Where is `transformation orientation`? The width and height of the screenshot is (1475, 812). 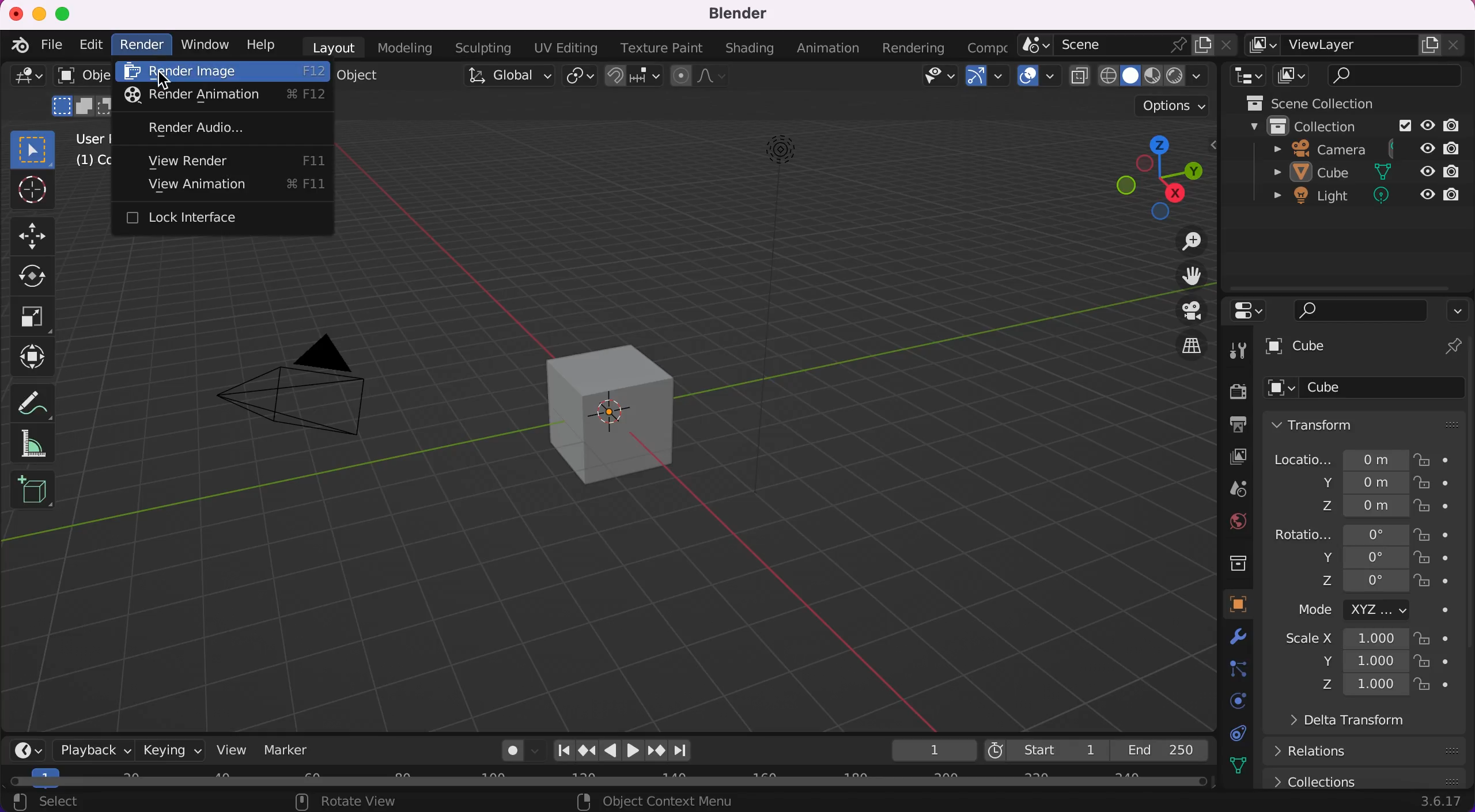 transformation orientation is located at coordinates (502, 81).